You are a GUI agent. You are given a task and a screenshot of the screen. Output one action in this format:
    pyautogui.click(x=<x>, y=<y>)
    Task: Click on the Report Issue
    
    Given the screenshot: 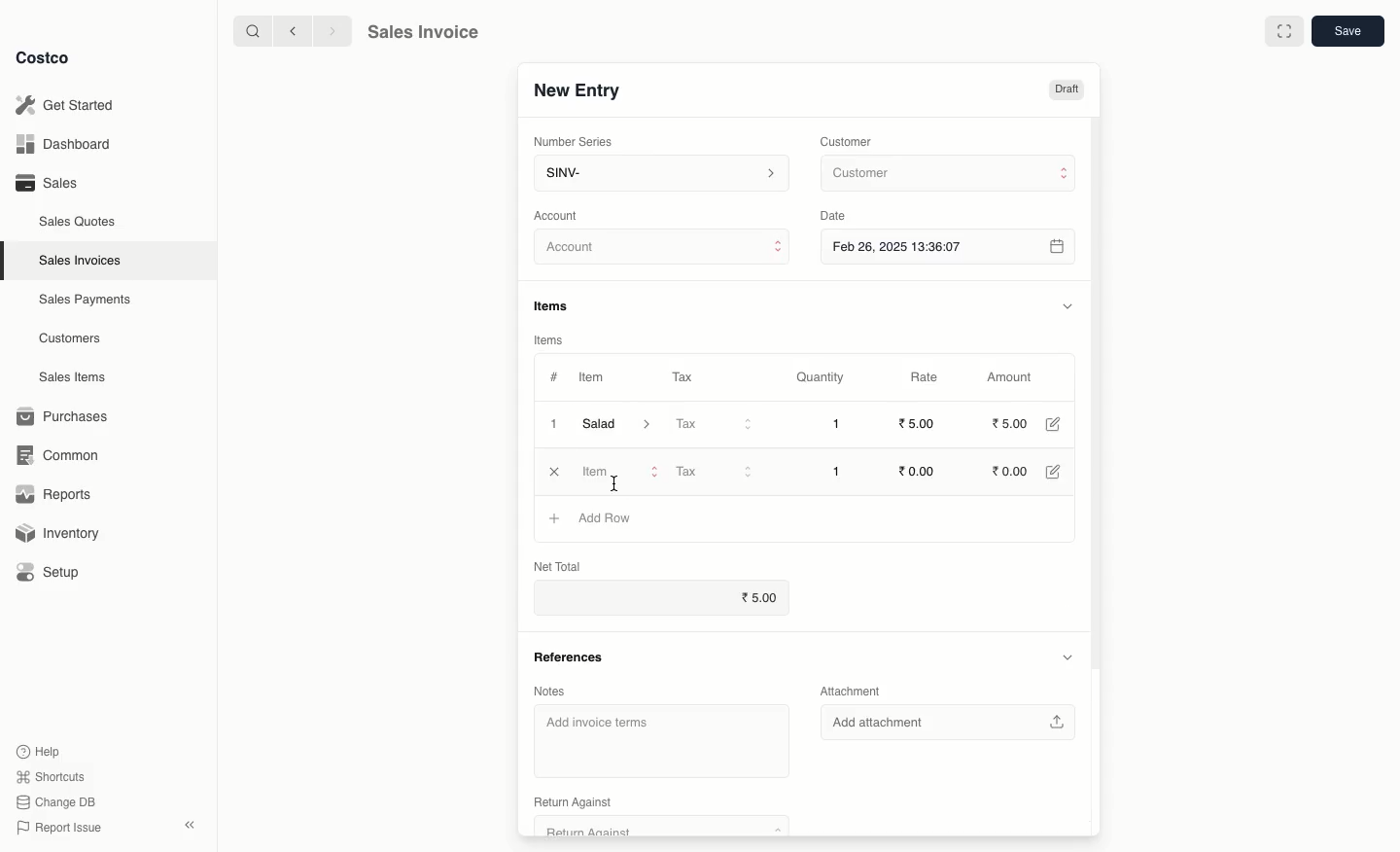 What is the action you would take?
    pyautogui.click(x=55, y=828)
    